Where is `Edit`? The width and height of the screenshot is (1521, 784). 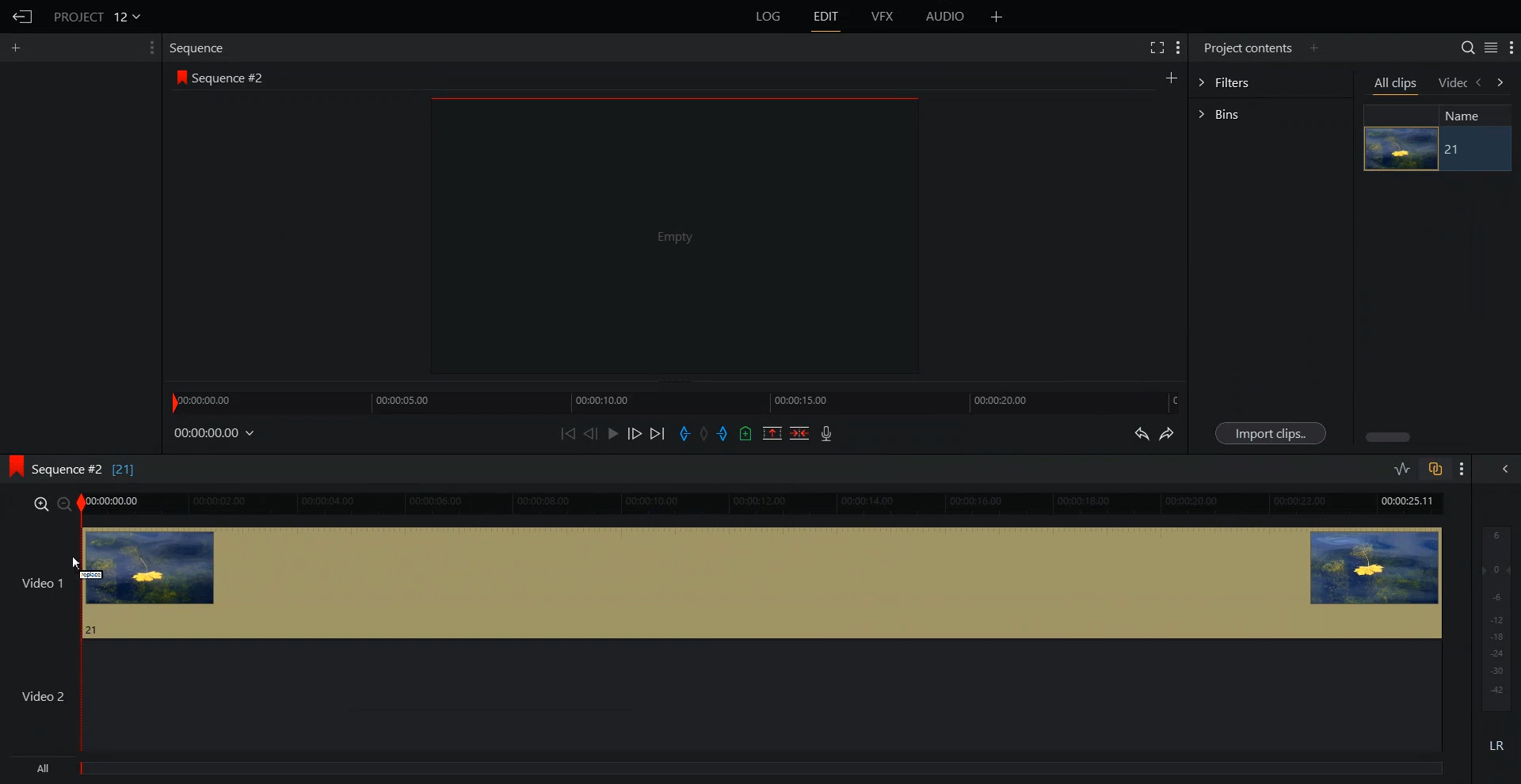
Edit is located at coordinates (825, 17).